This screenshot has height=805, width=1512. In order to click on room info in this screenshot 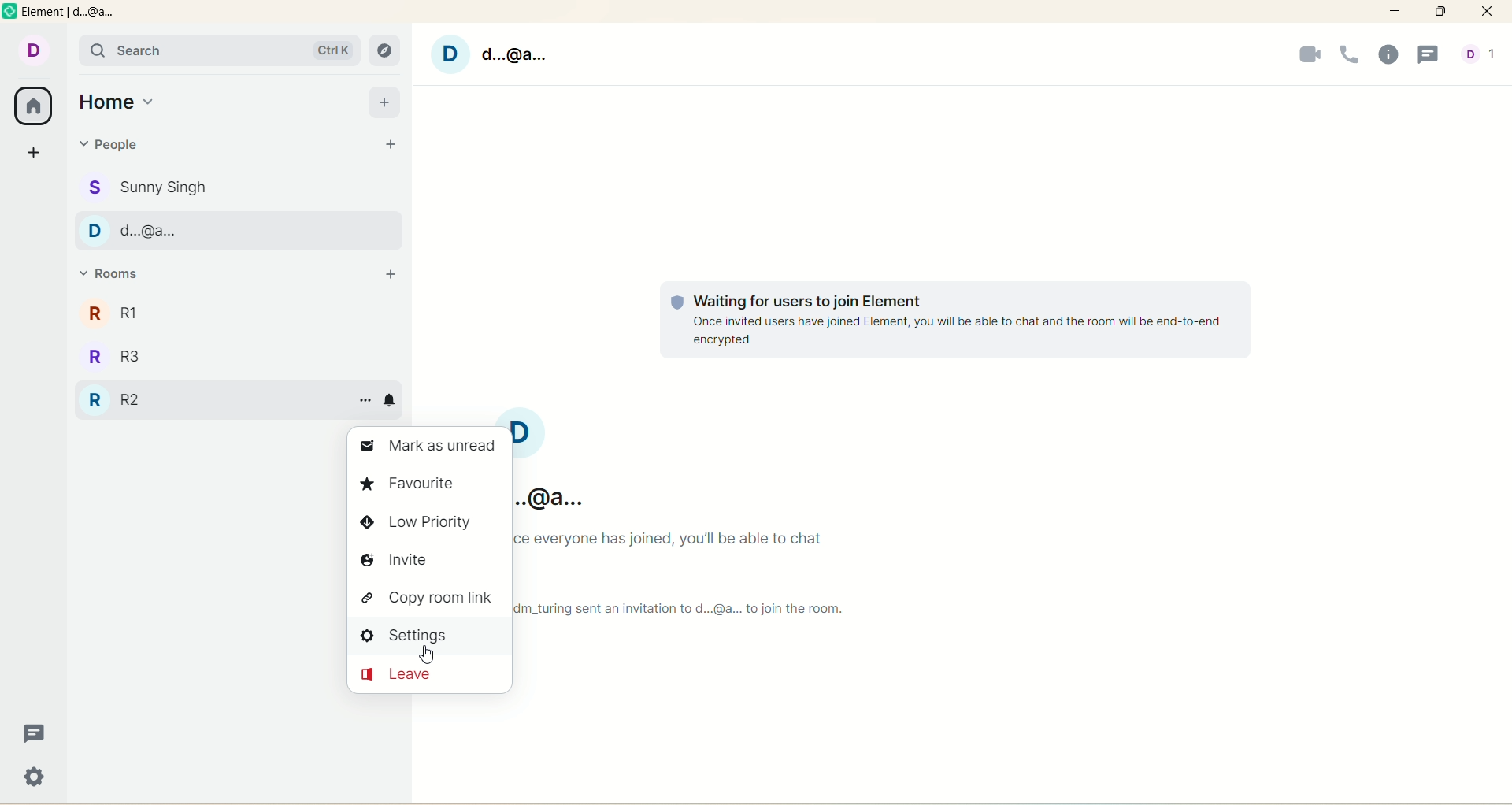, I will do `click(1392, 56)`.